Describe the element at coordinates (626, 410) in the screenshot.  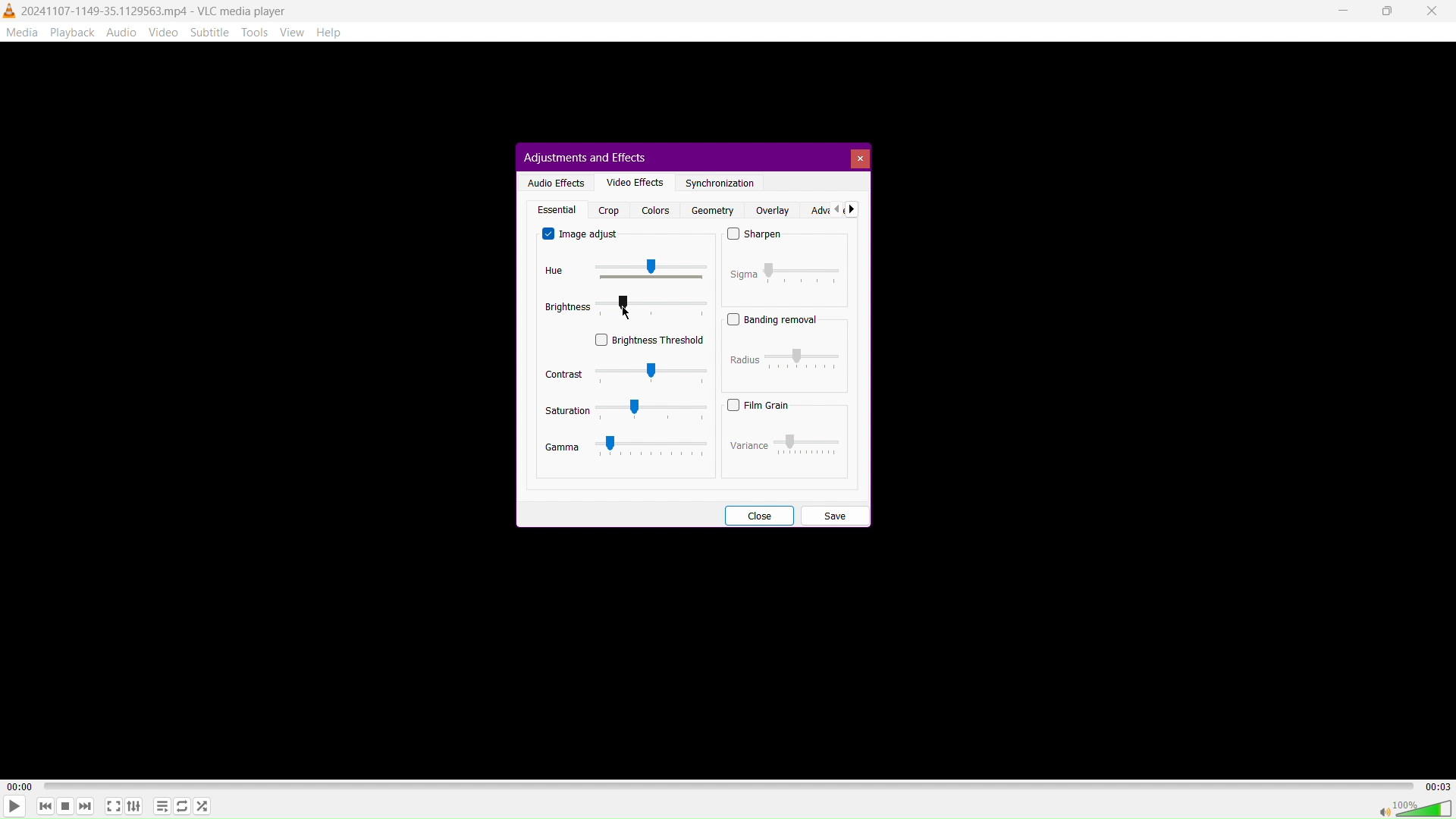
I see `Saturation` at that location.